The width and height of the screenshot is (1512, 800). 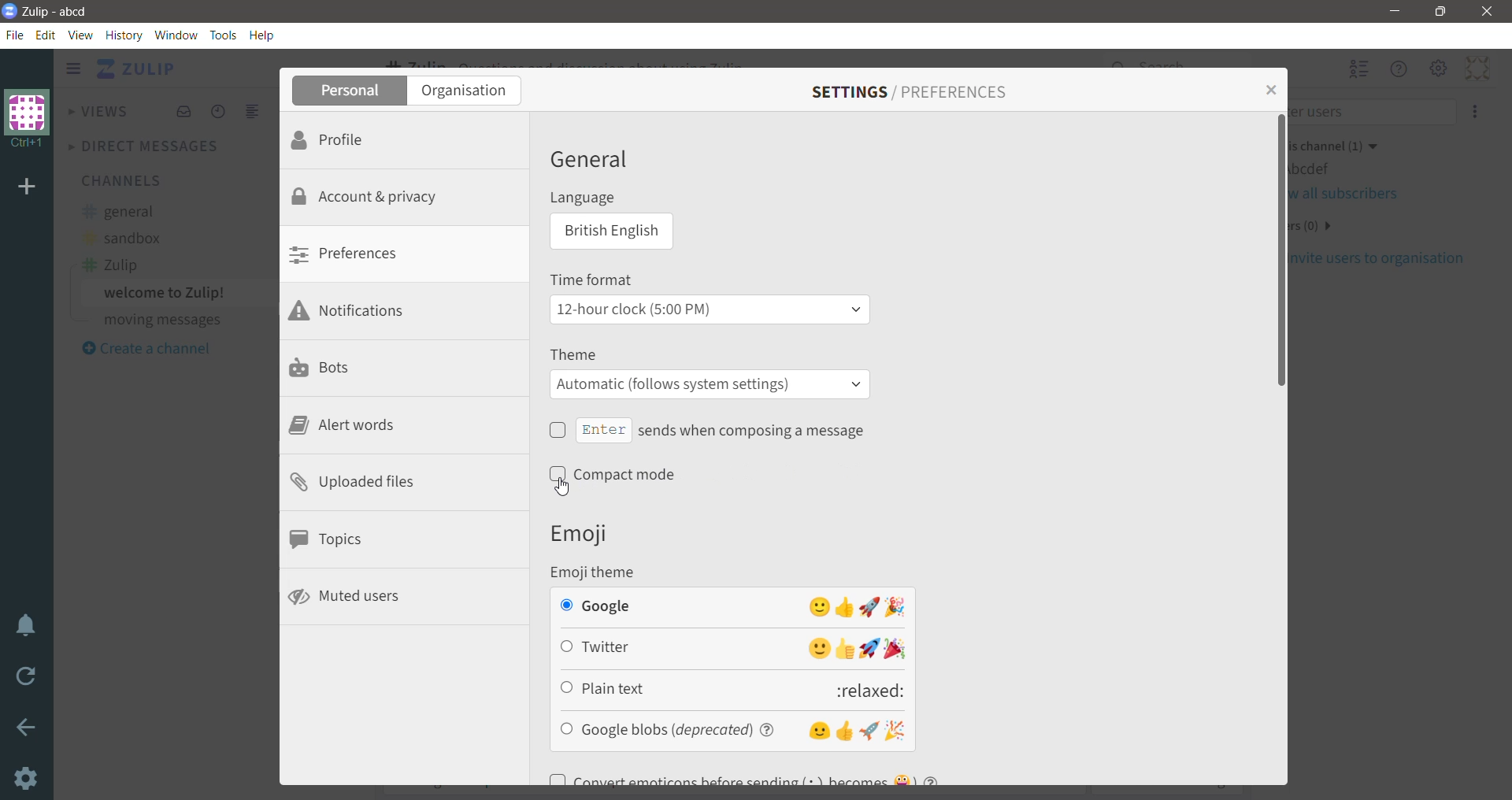 What do you see at coordinates (598, 278) in the screenshot?
I see `Time format` at bounding box center [598, 278].